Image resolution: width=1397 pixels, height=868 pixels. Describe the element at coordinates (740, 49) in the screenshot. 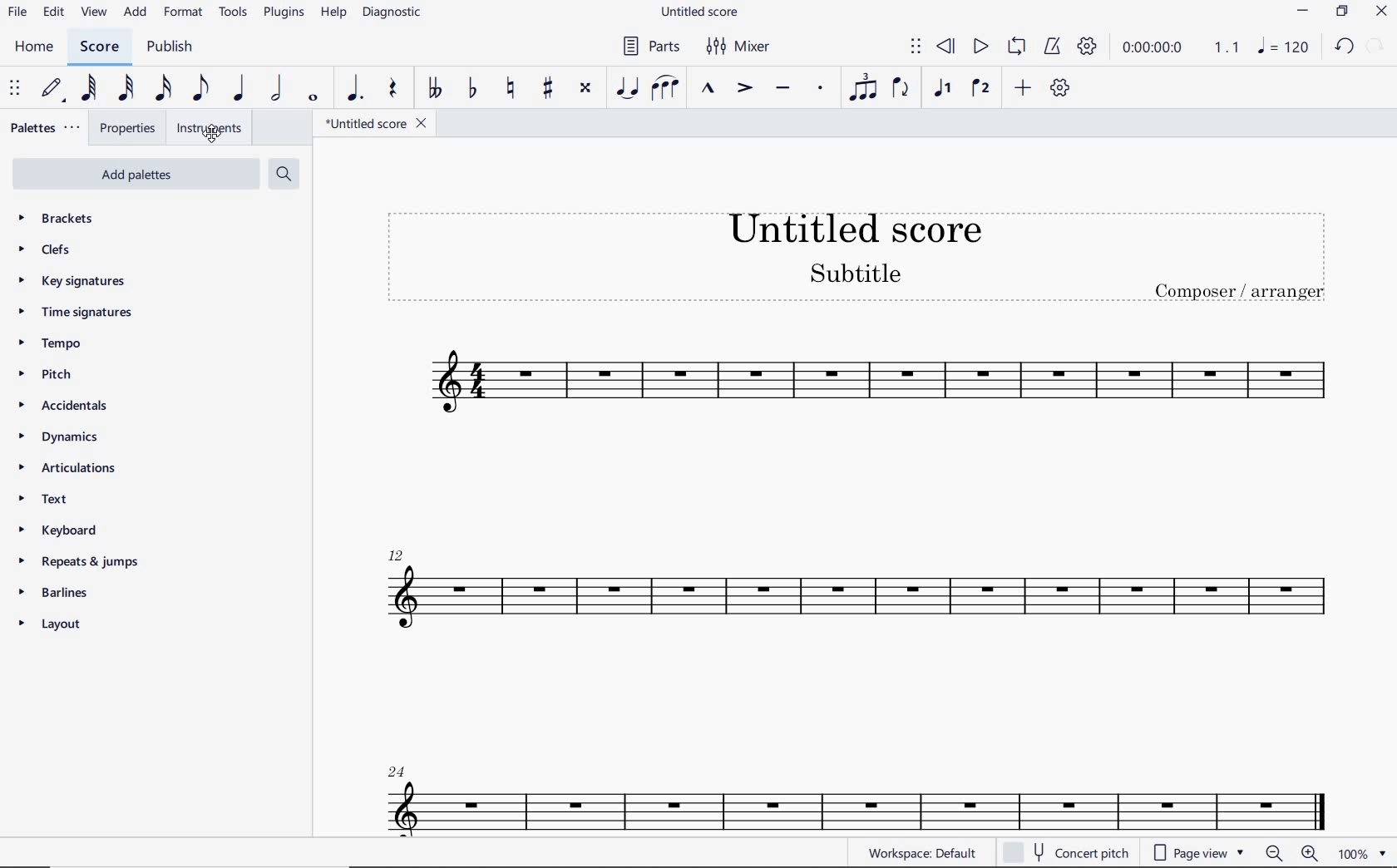

I see `MIXER` at that location.